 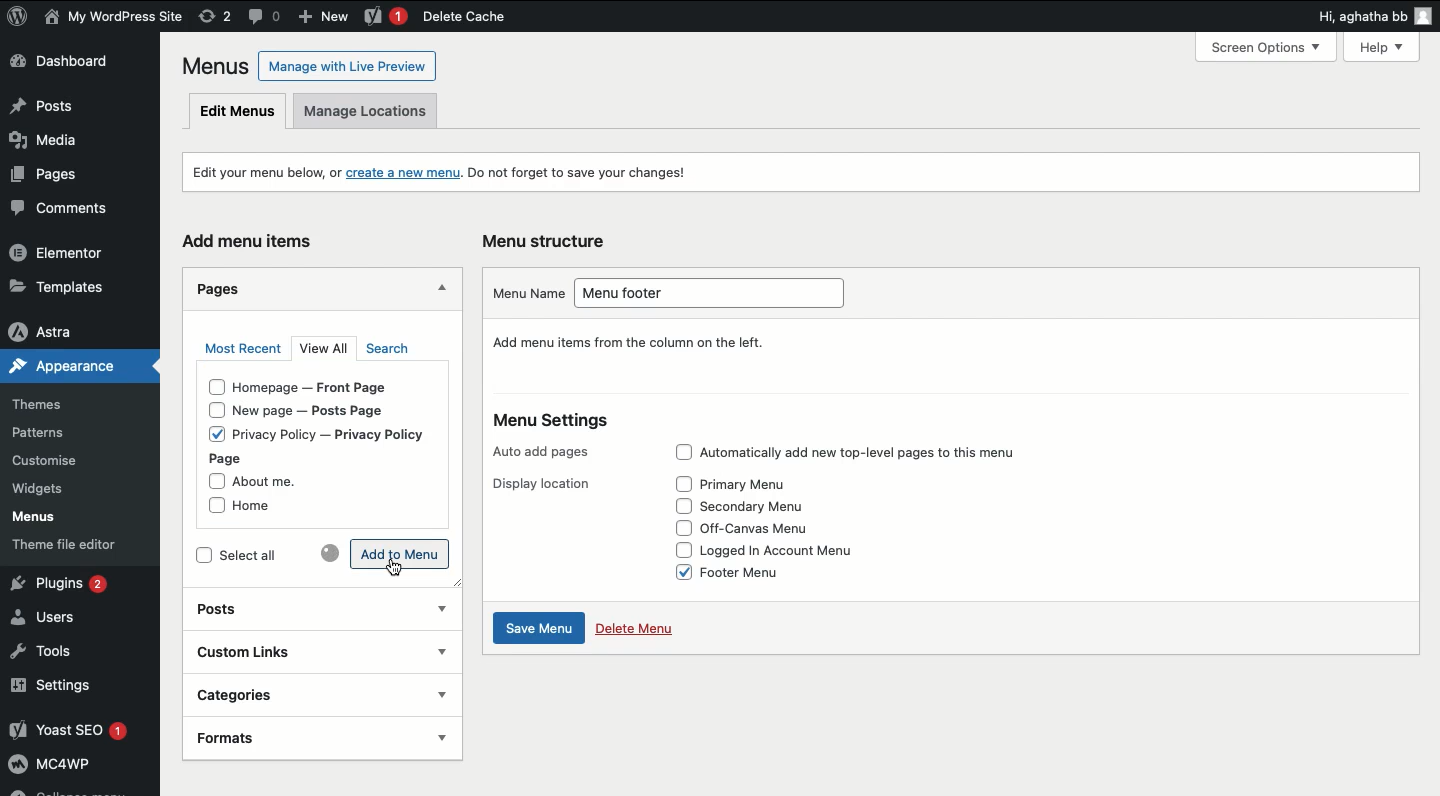 What do you see at coordinates (681, 505) in the screenshot?
I see `Check box` at bounding box center [681, 505].